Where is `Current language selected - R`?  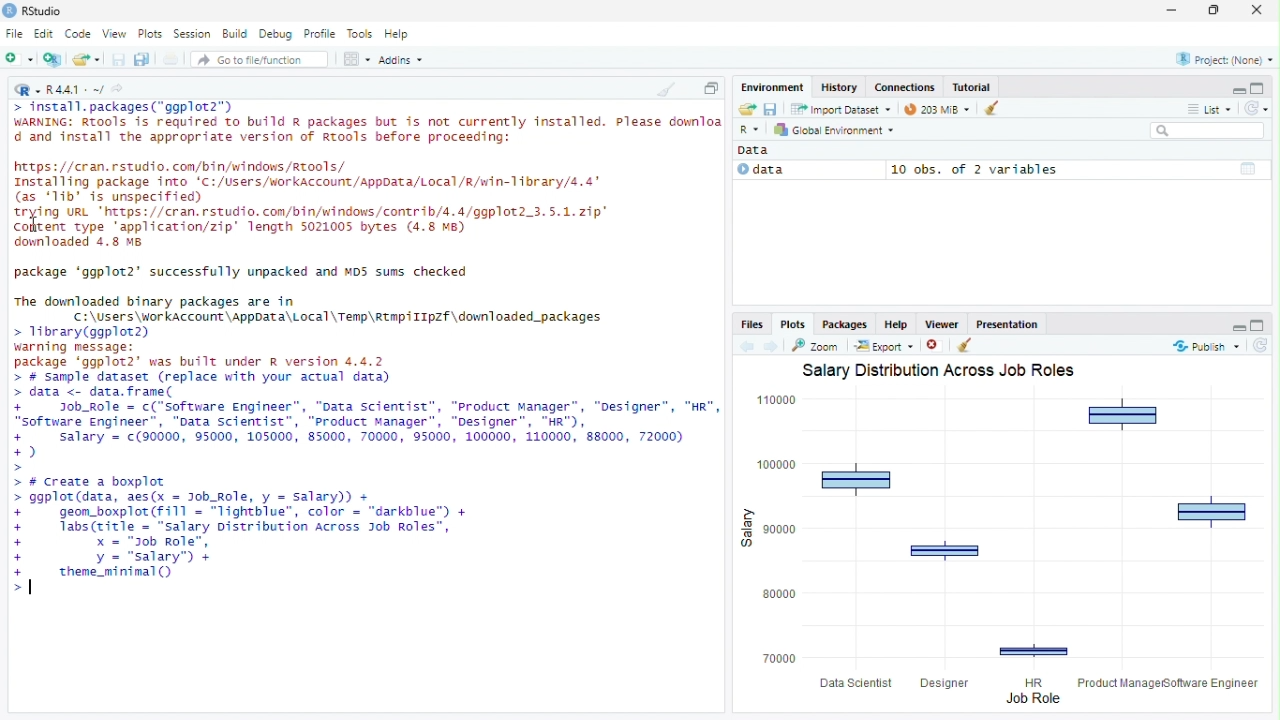
Current language selected - R is located at coordinates (25, 89).